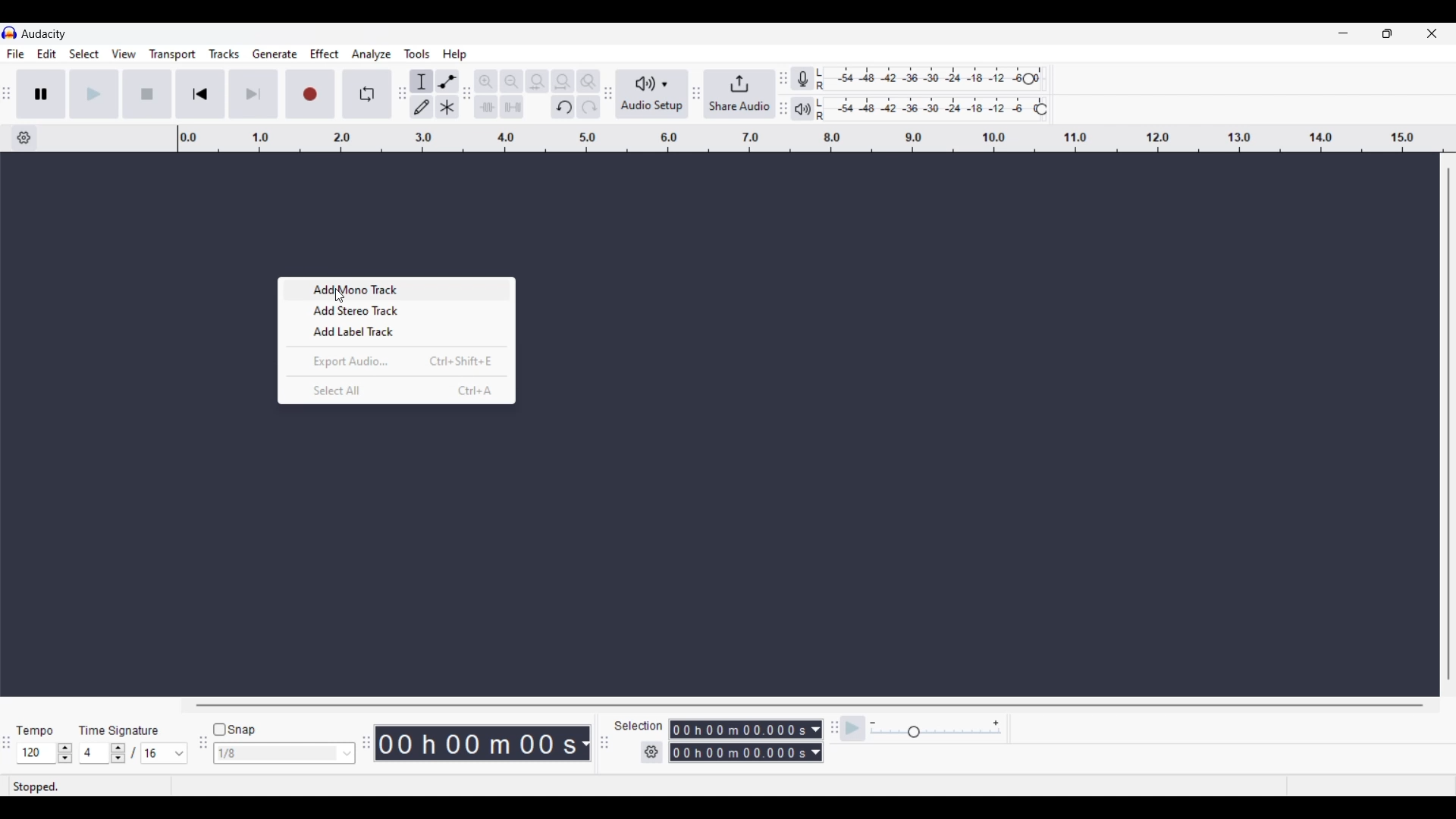  What do you see at coordinates (930, 109) in the screenshot?
I see `Playback level` at bounding box center [930, 109].